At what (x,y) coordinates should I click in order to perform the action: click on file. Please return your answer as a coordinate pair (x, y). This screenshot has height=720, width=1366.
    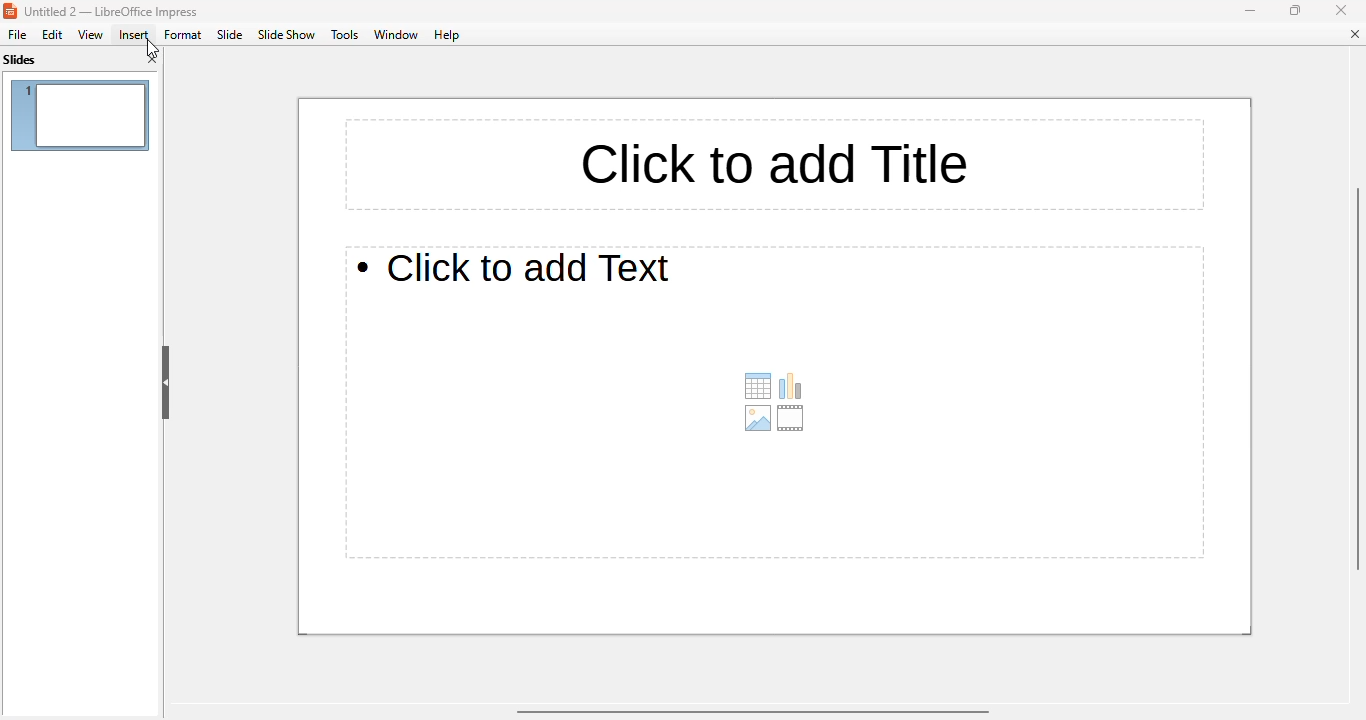
    Looking at the image, I should click on (15, 35).